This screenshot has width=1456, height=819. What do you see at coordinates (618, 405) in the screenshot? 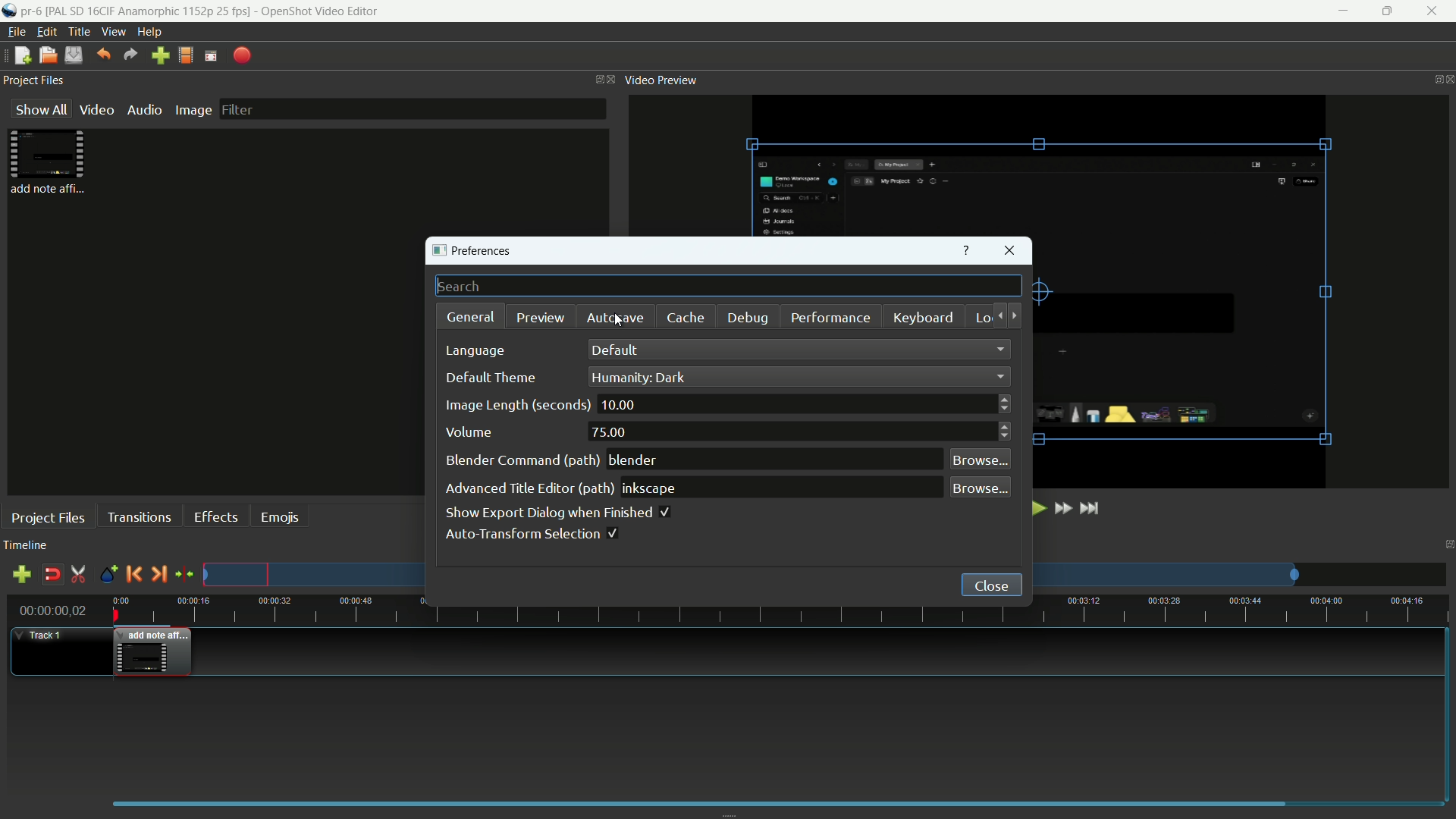
I see `10.00` at bounding box center [618, 405].